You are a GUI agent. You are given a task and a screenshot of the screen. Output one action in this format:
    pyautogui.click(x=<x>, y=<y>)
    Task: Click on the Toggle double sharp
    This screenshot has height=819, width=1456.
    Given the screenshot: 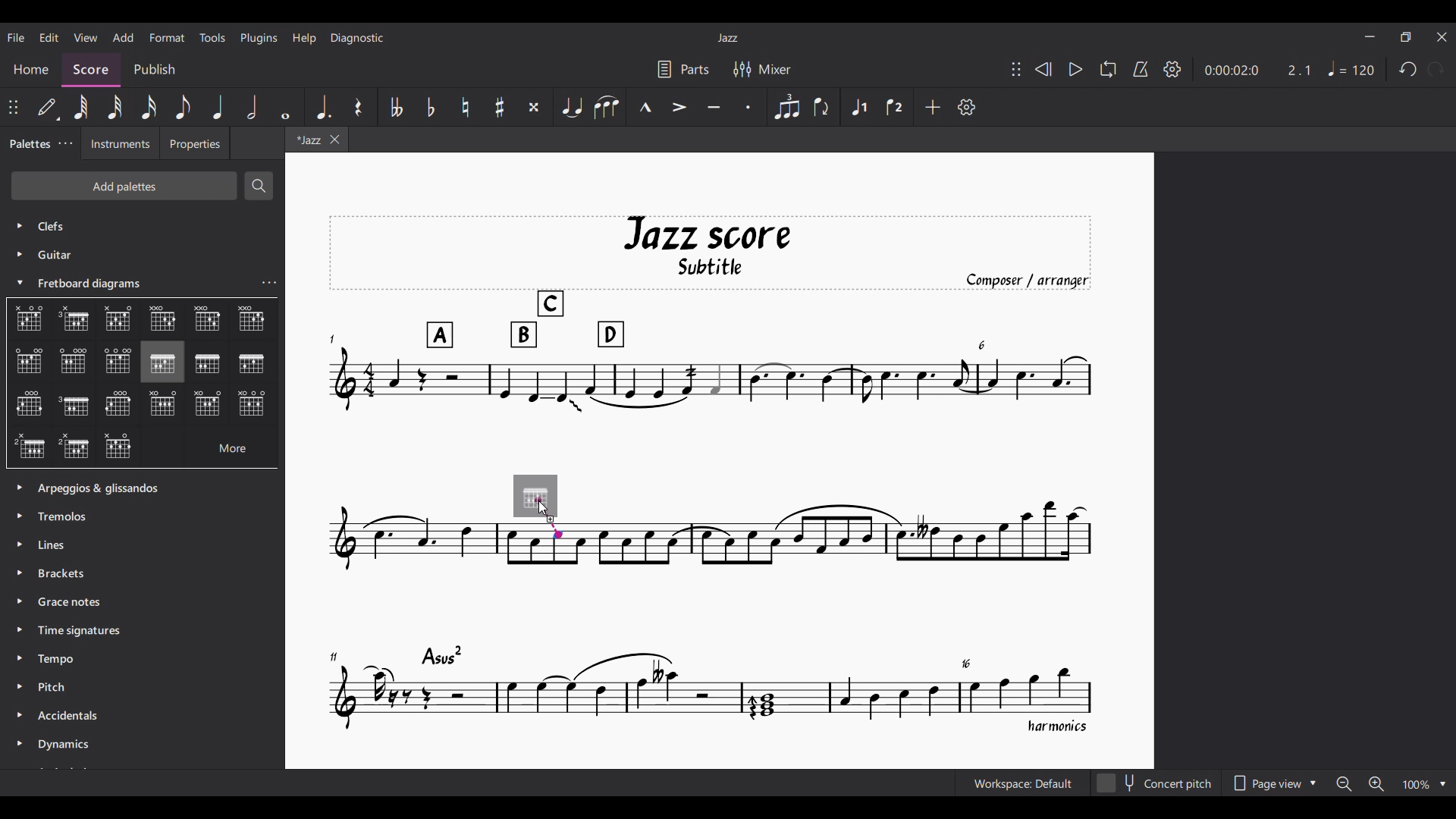 What is the action you would take?
    pyautogui.click(x=535, y=107)
    